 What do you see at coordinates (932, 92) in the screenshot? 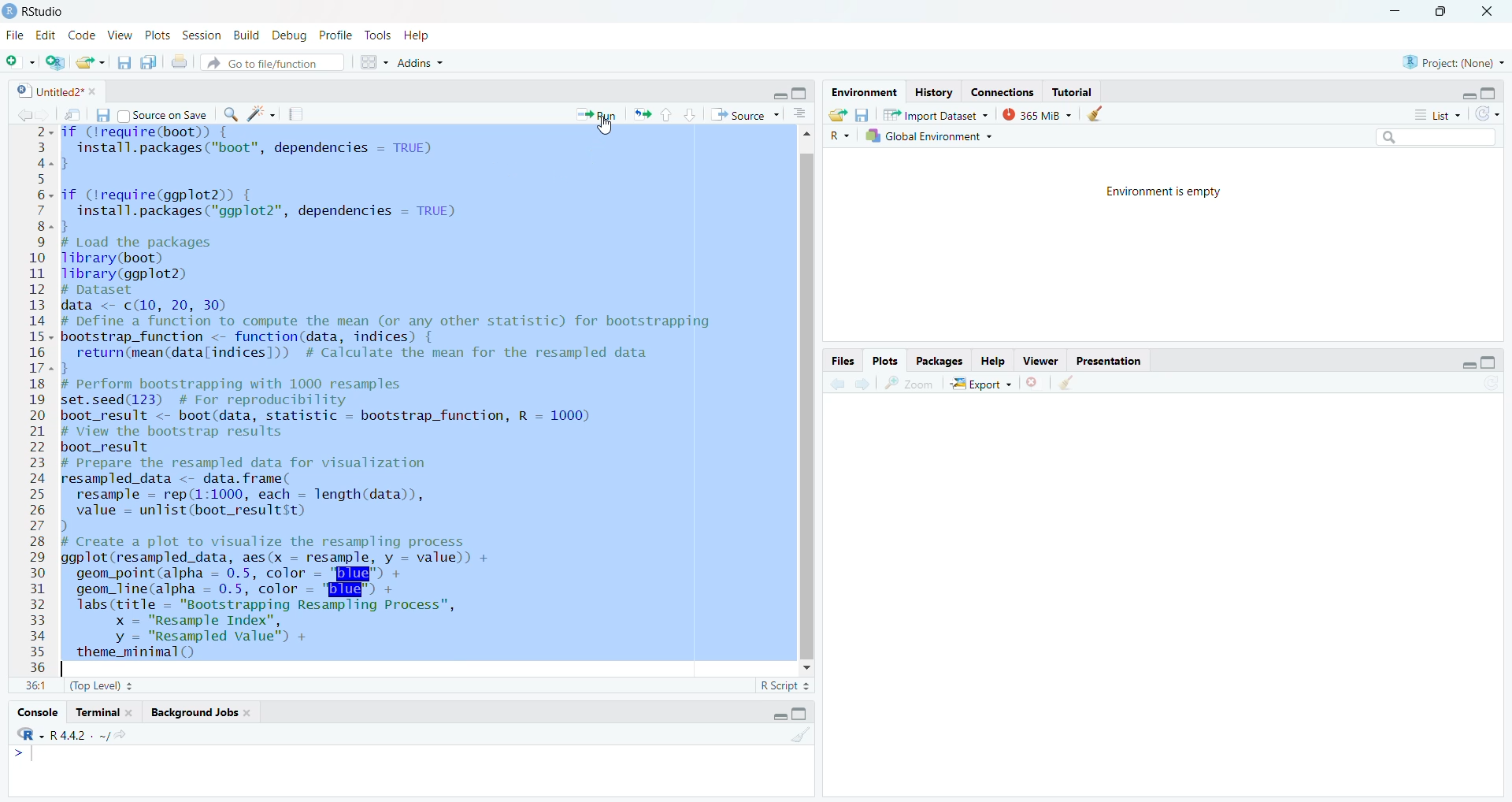
I see `History` at bounding box center [932, 92].